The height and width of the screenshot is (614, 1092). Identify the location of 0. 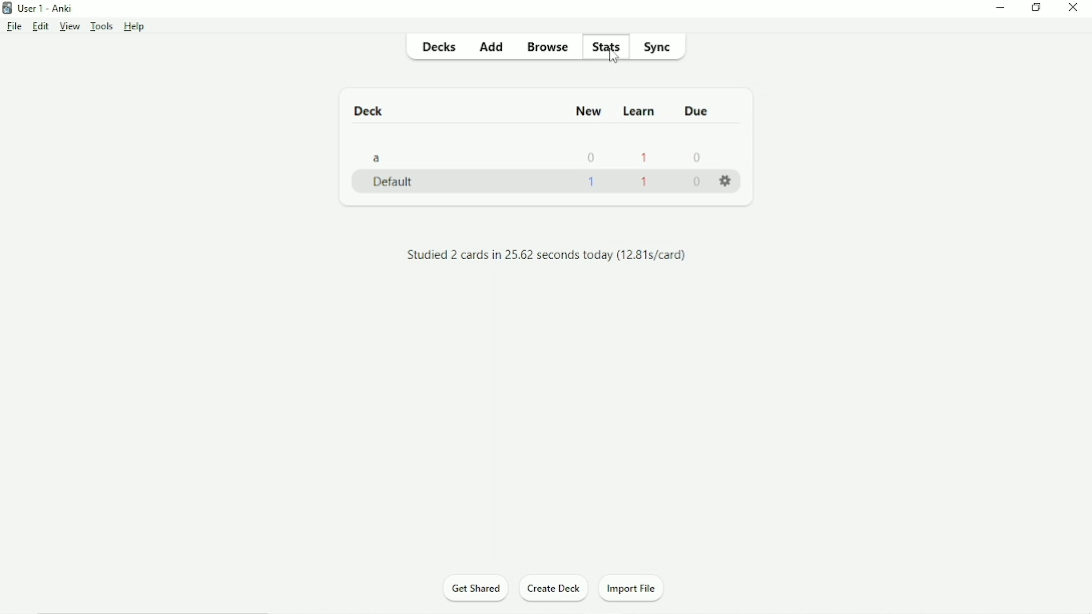
(696, 157).